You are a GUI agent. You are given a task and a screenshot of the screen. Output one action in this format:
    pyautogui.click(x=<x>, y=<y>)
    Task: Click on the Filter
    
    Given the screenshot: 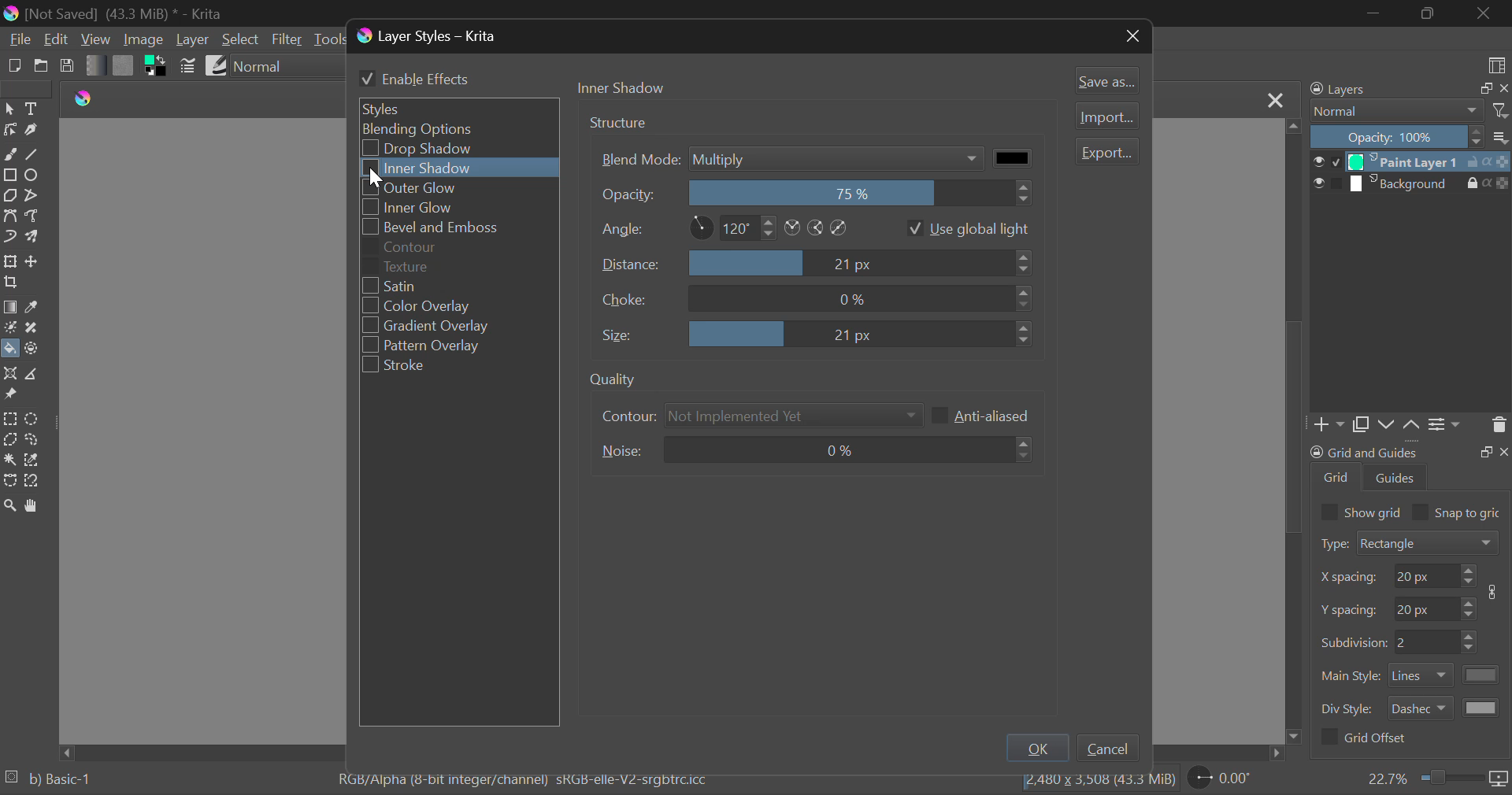 What is the action you would take?
    pyautogui.click(x=288, y=39)
    